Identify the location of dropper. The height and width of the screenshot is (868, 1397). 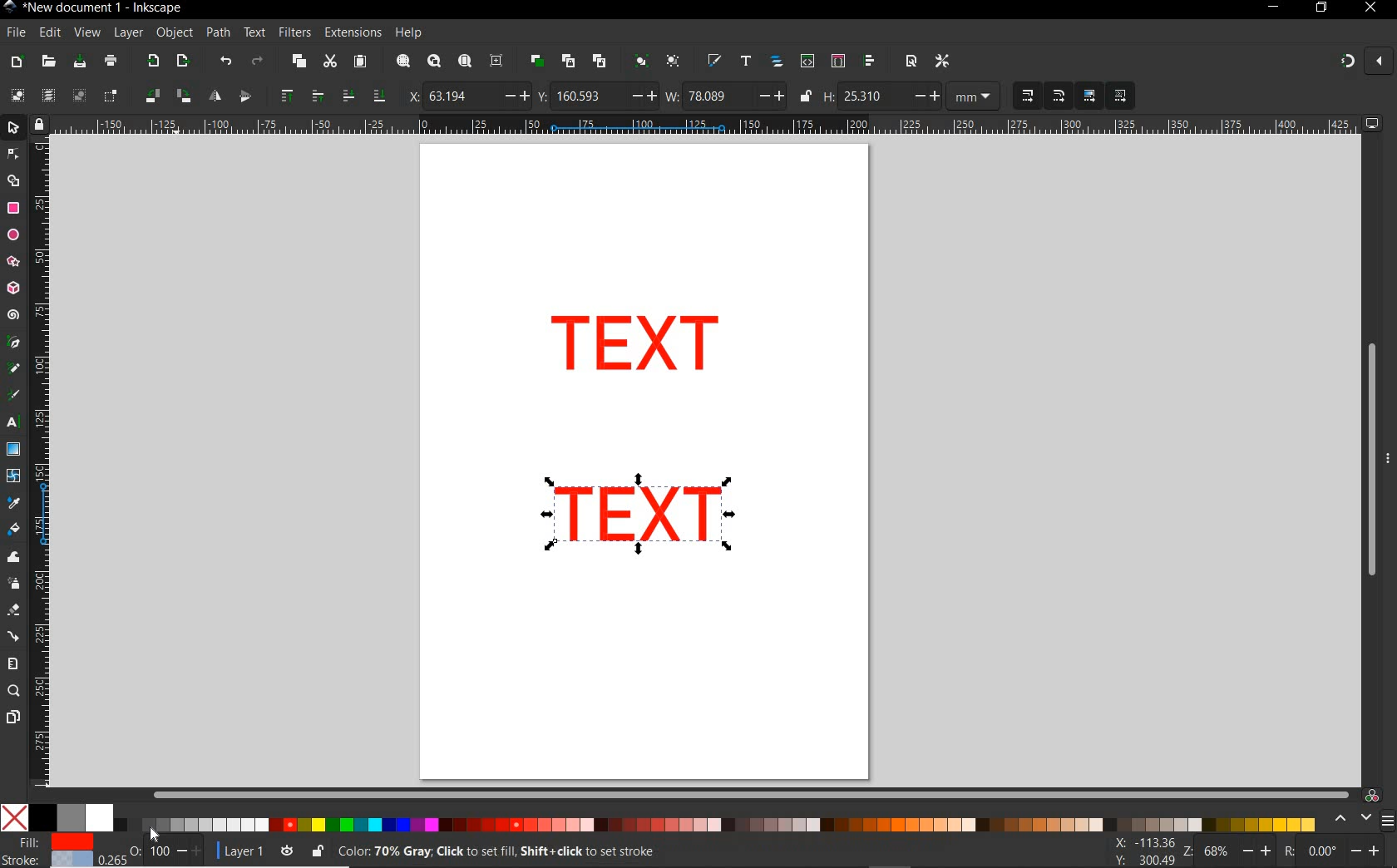
(14, 503).